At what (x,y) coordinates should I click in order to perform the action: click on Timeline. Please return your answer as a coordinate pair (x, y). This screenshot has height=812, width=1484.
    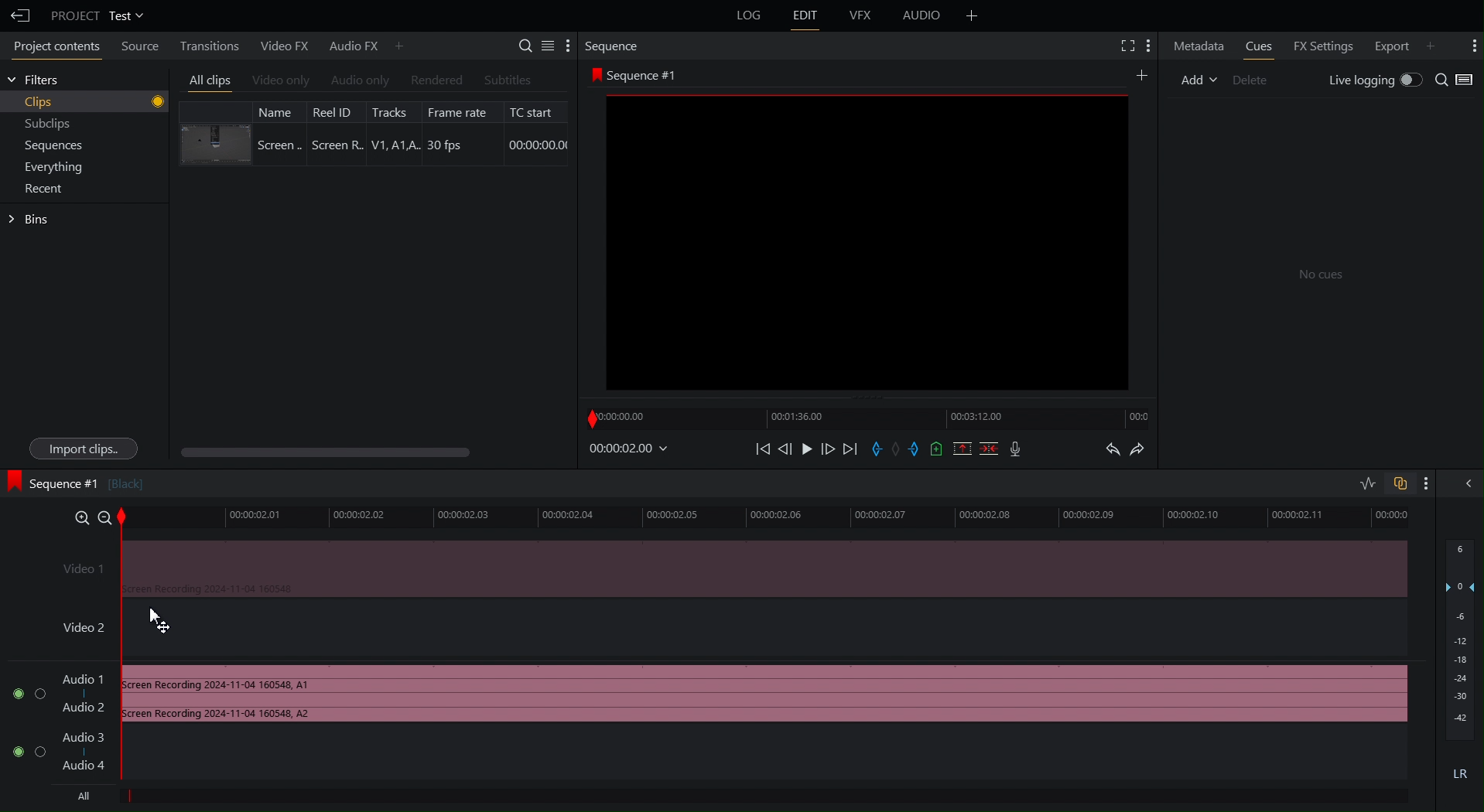
    Looking at the image, I should click on (868, 421).